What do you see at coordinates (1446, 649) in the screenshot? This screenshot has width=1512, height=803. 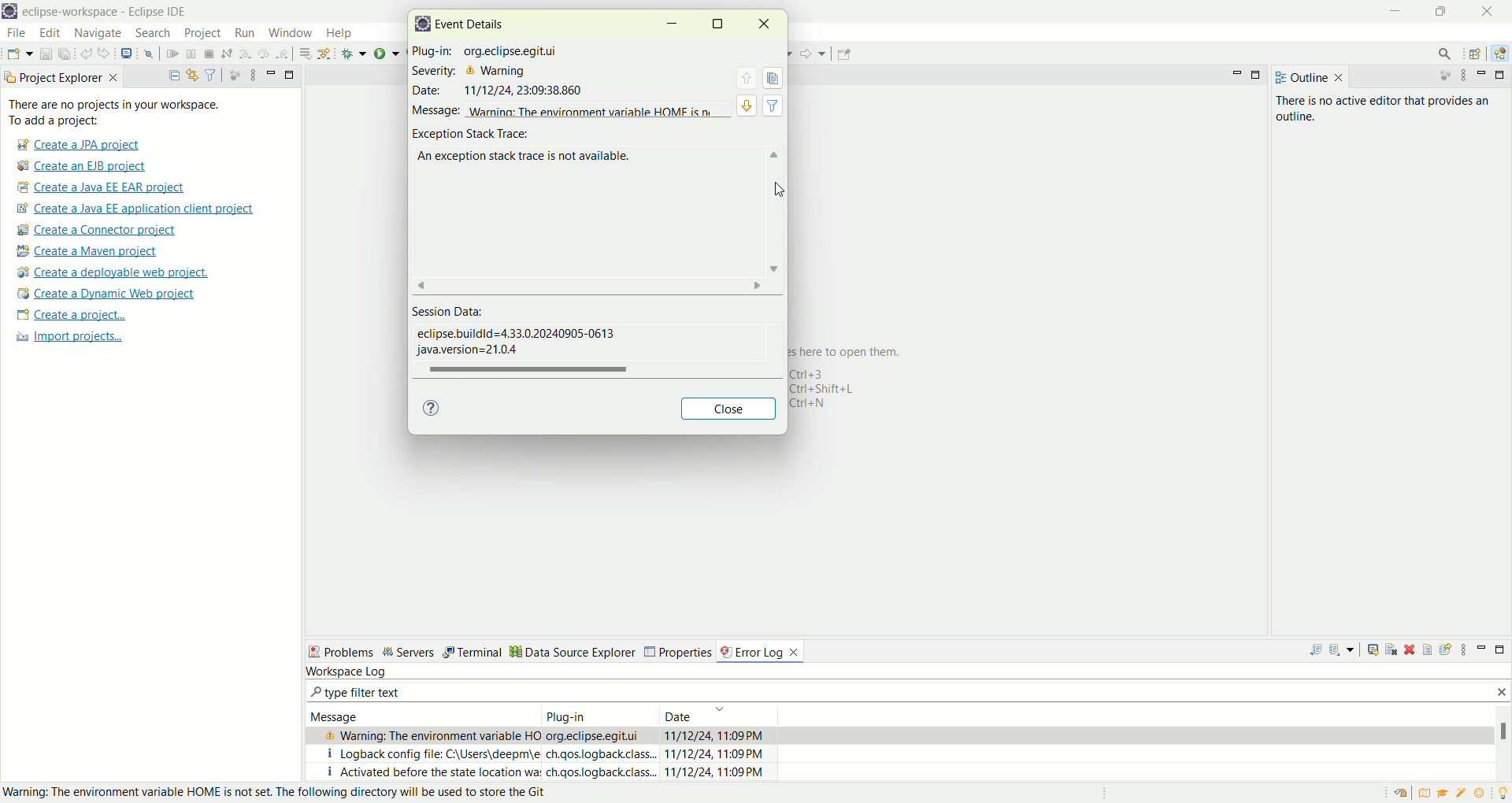 I see `focus on active task` at bounding box center [1446, 649].